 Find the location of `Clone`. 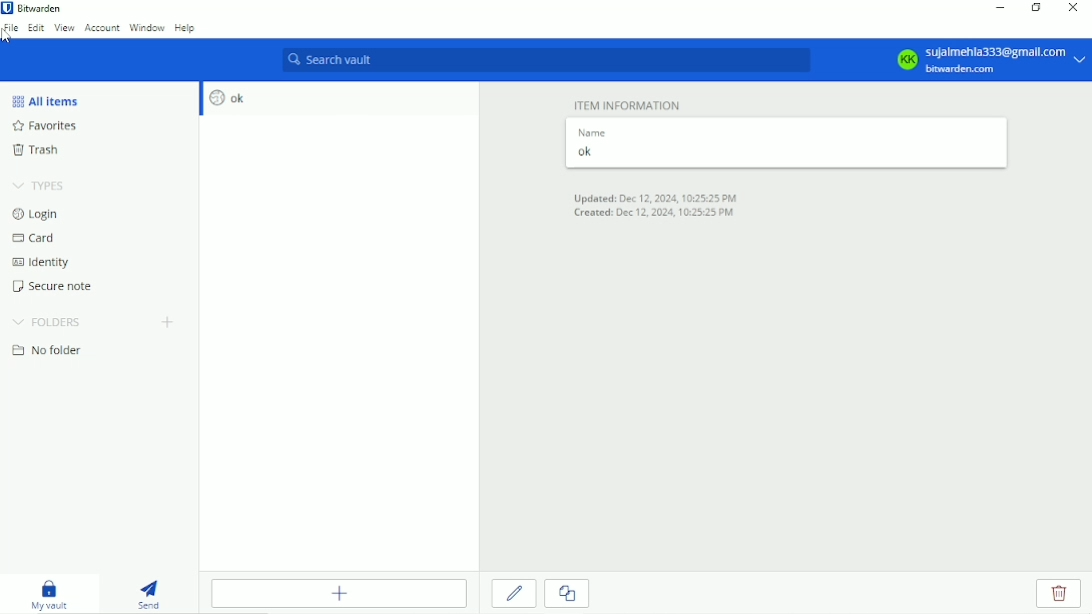

Clone is located at coordinates (566, 594).